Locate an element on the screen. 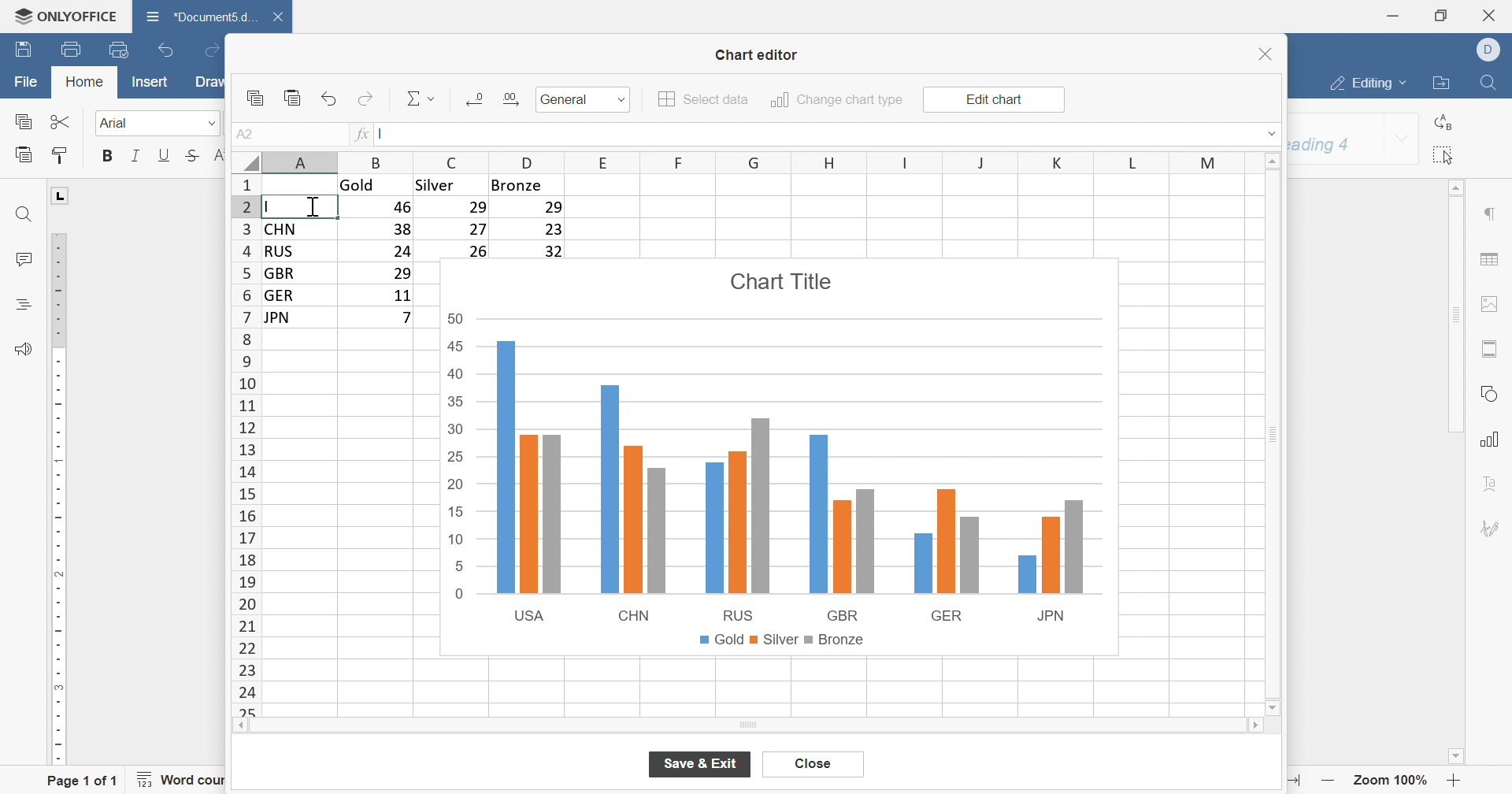 This screenshot has height=794, width=1512. select data is located at coordinates (704, 99).